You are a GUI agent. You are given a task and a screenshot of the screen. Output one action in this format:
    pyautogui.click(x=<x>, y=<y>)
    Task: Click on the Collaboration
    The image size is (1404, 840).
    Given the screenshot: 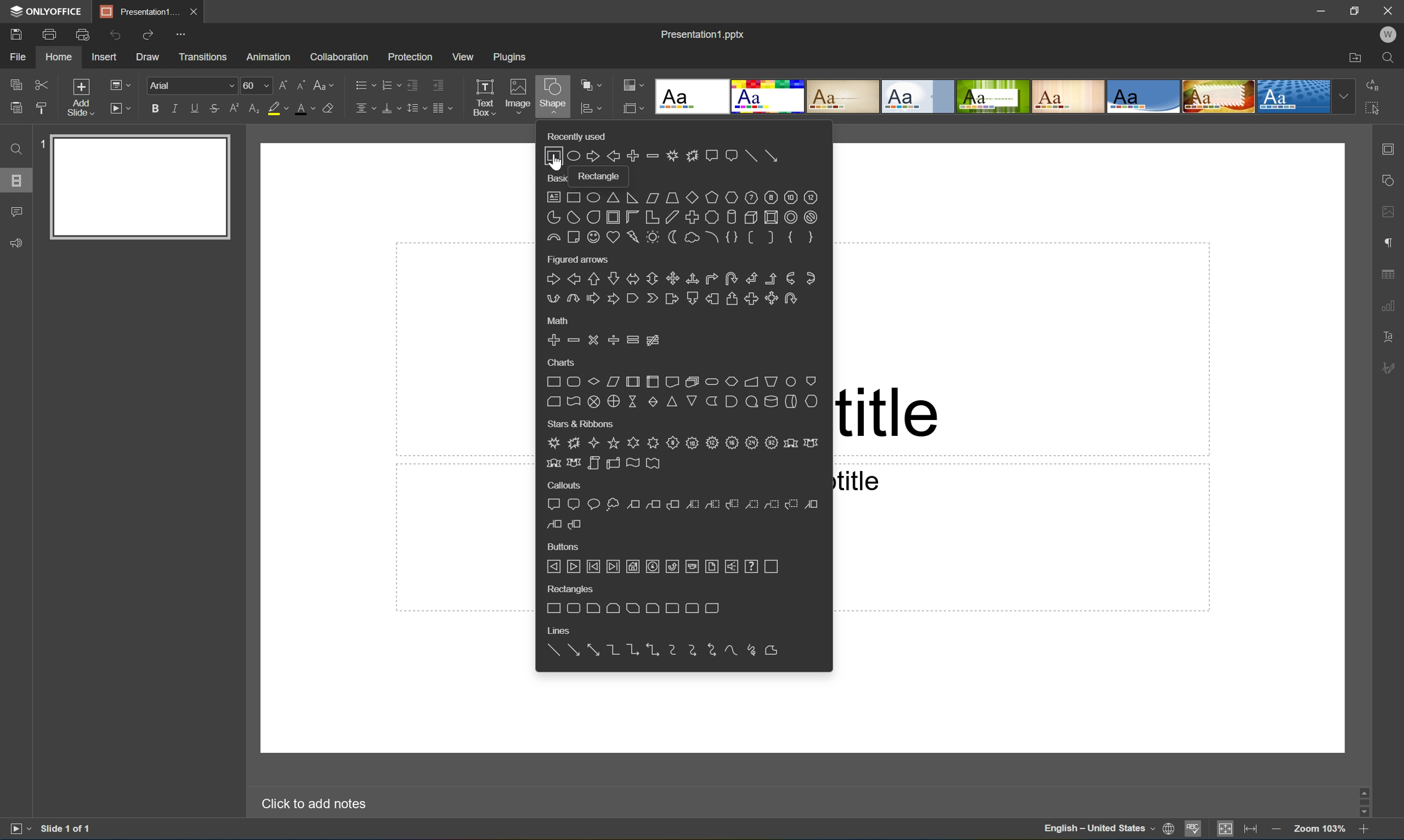 What is the action you would take?
    pyautogui.click(x=340, y=57)
    